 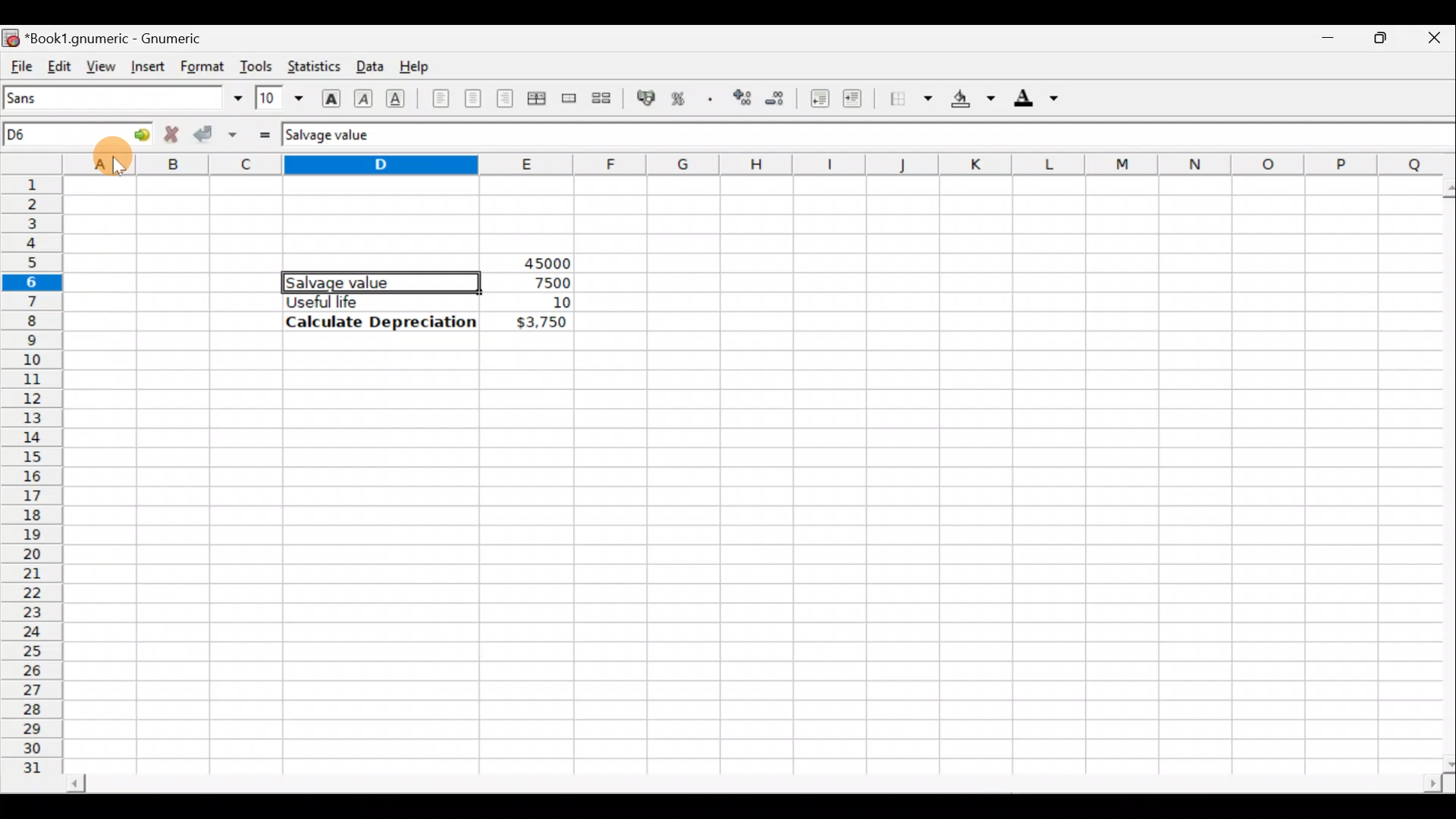 What do you see at coordinates (711, 99) in the screenshot?
I see `Include thousands separator` at bounding box center [711, 99].